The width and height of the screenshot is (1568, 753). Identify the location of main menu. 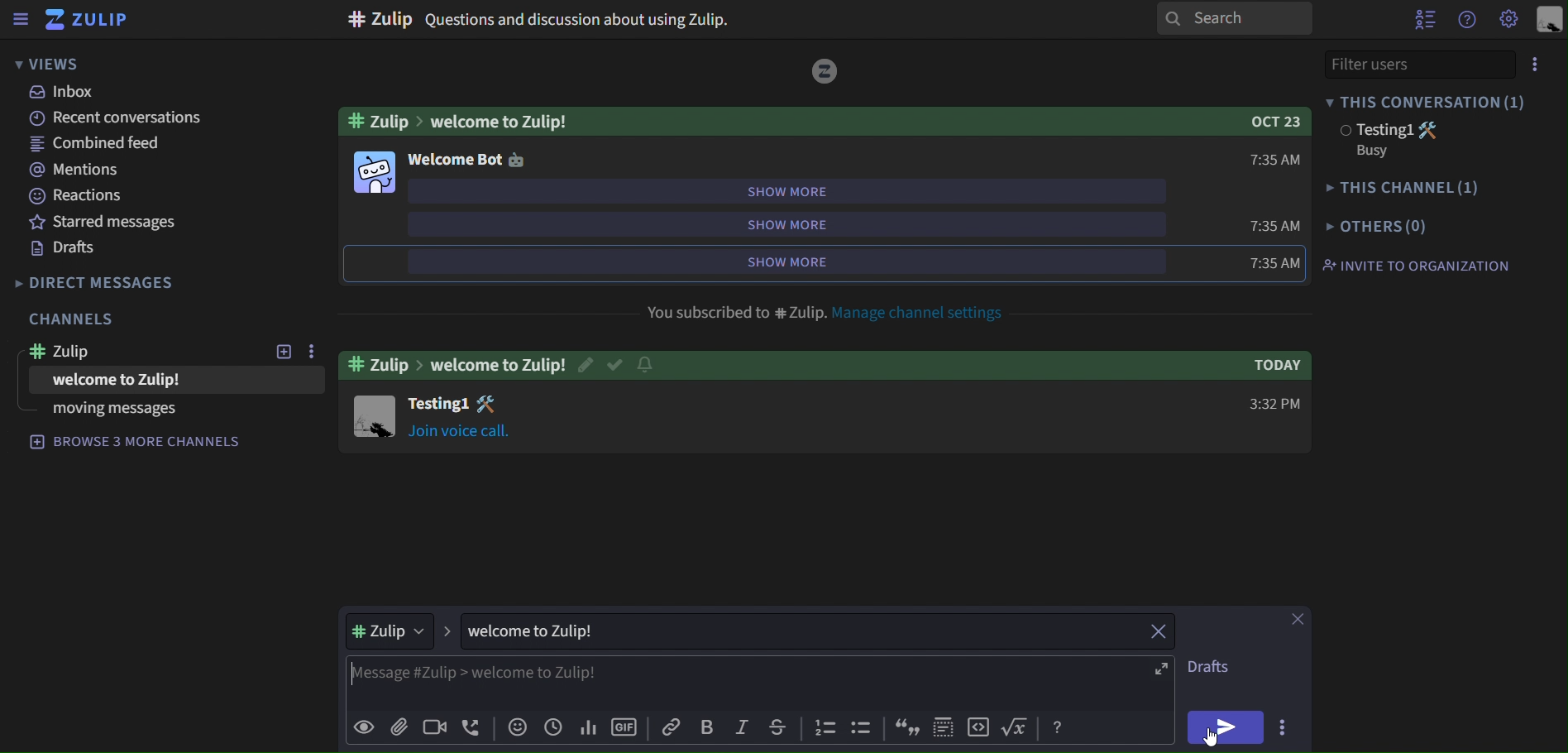
(1510, 21).